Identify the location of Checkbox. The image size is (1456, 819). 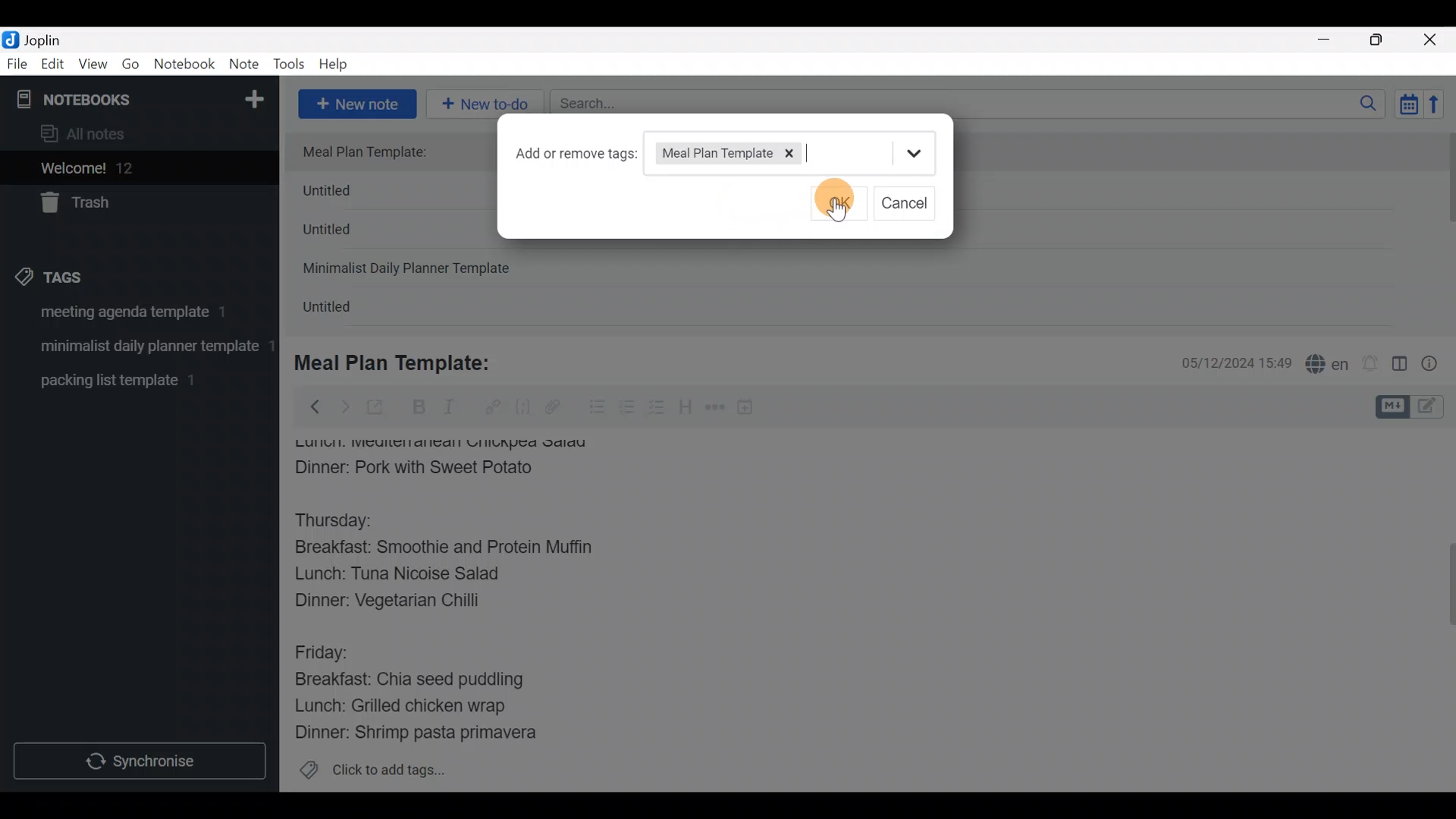
(658, 409).